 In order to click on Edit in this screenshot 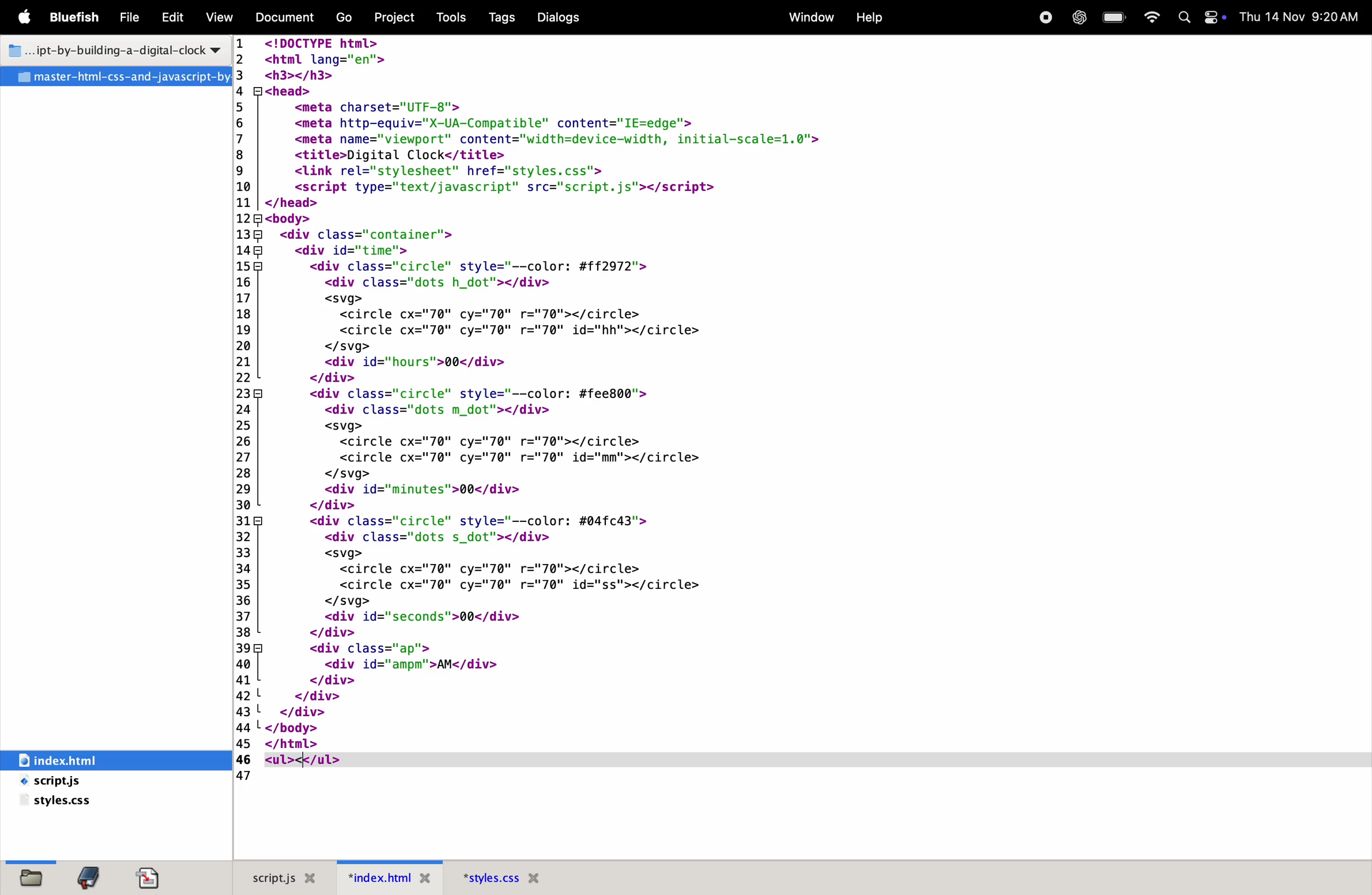, I will do `click(172, 18)`.